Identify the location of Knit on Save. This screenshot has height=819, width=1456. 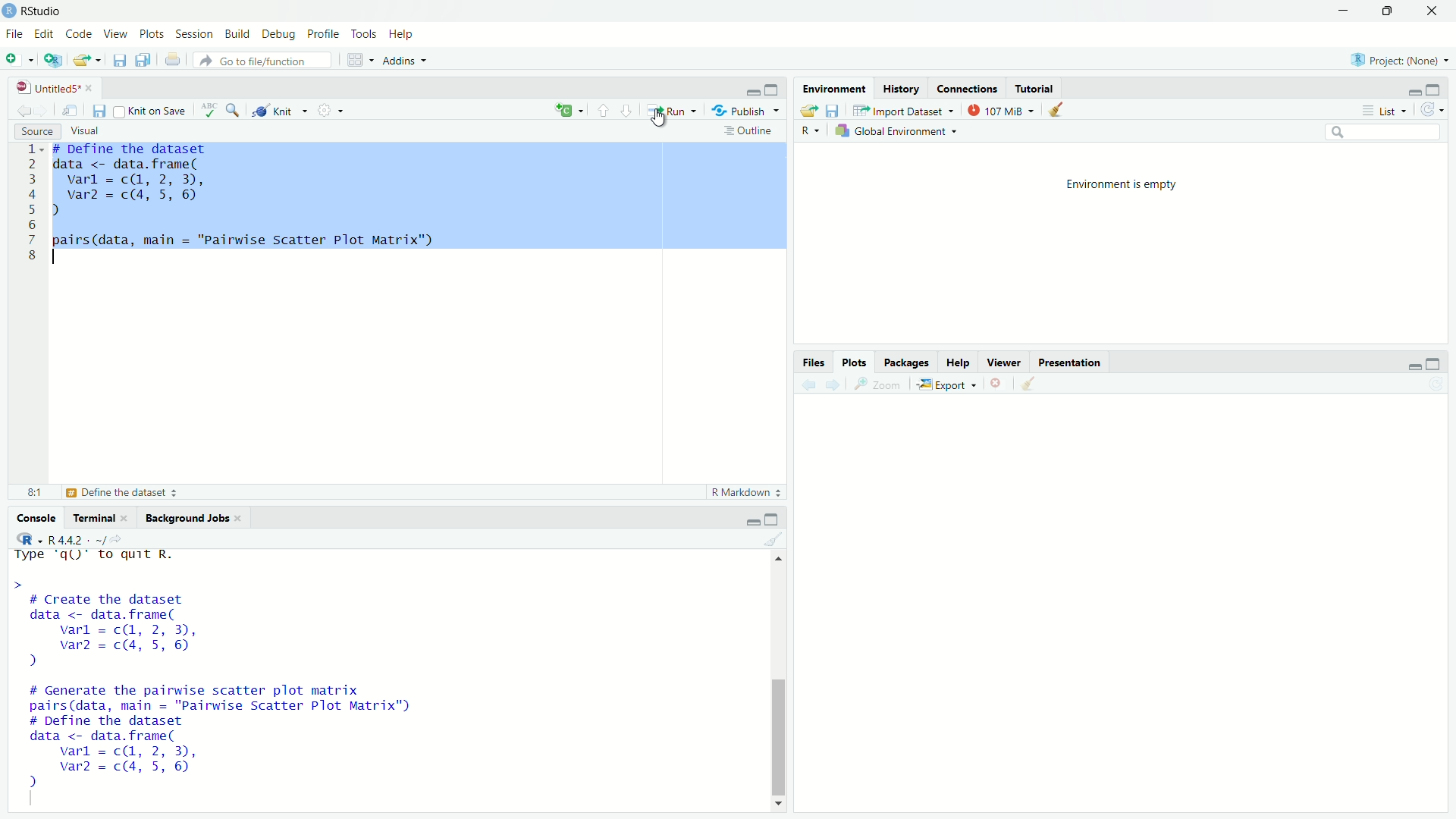
(154, 110).